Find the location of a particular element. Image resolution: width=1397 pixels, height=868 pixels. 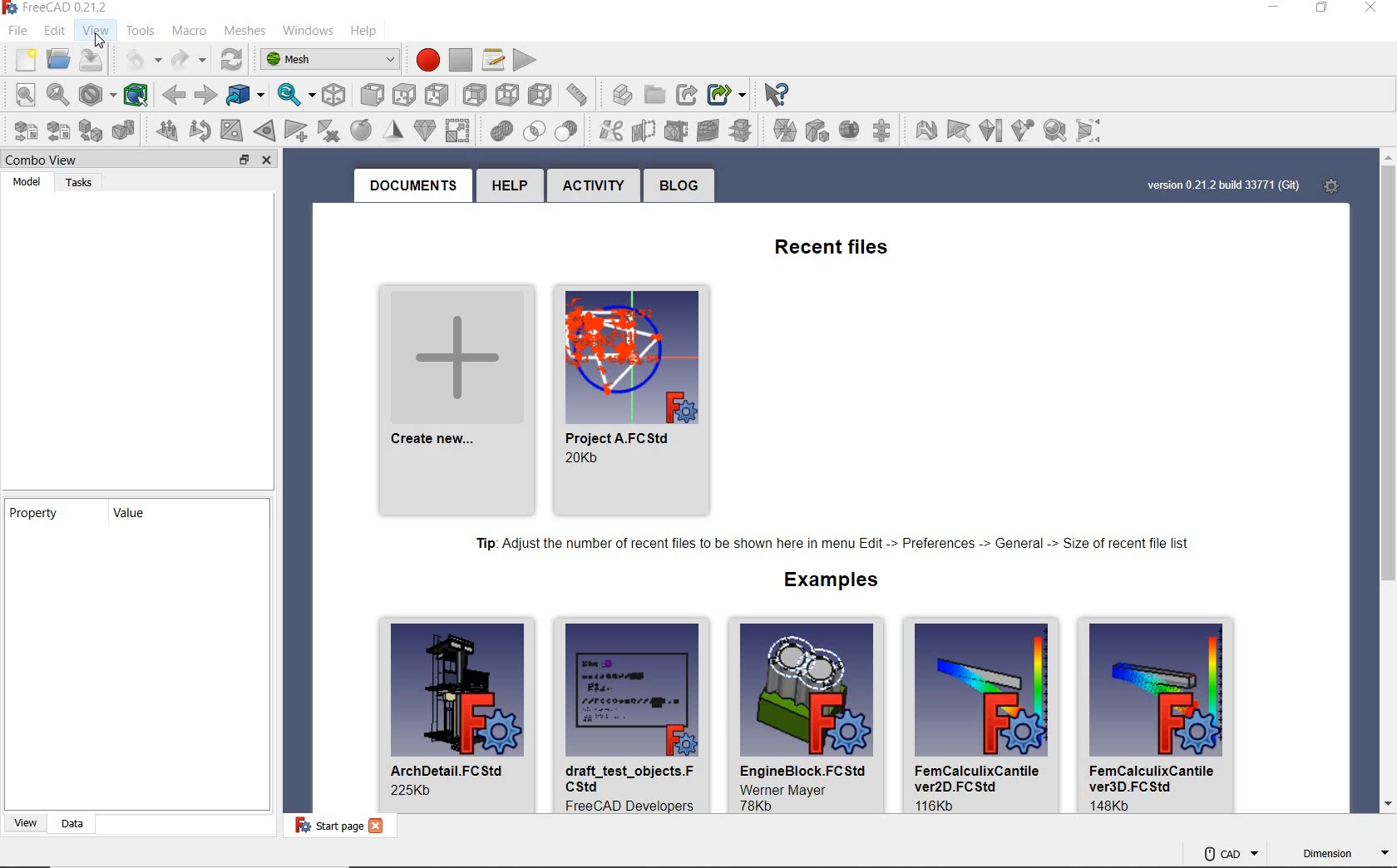

close hole is located at coordinates (265, 131).